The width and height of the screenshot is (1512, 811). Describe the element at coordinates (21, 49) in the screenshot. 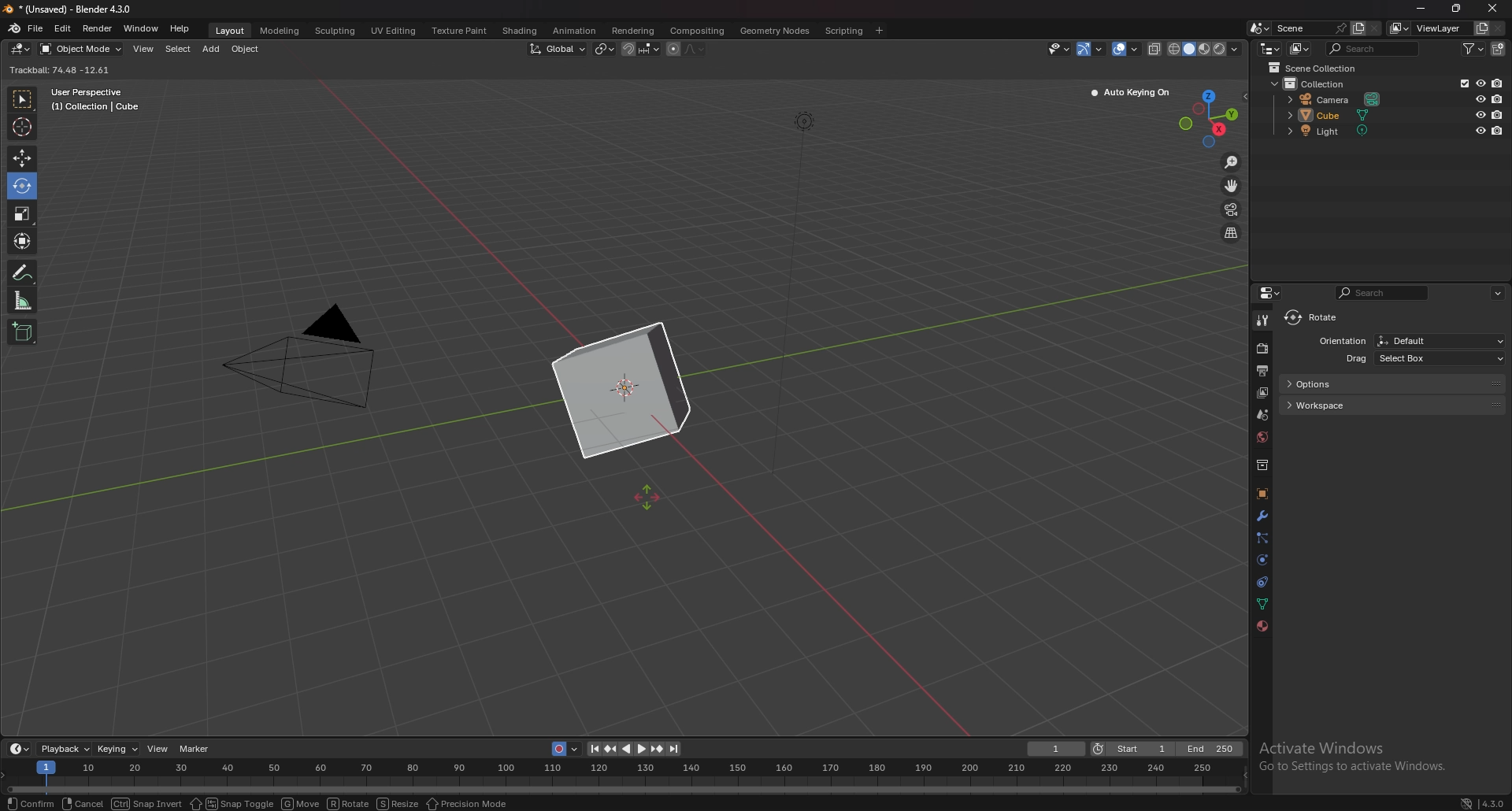

I see `editor type` at that location.